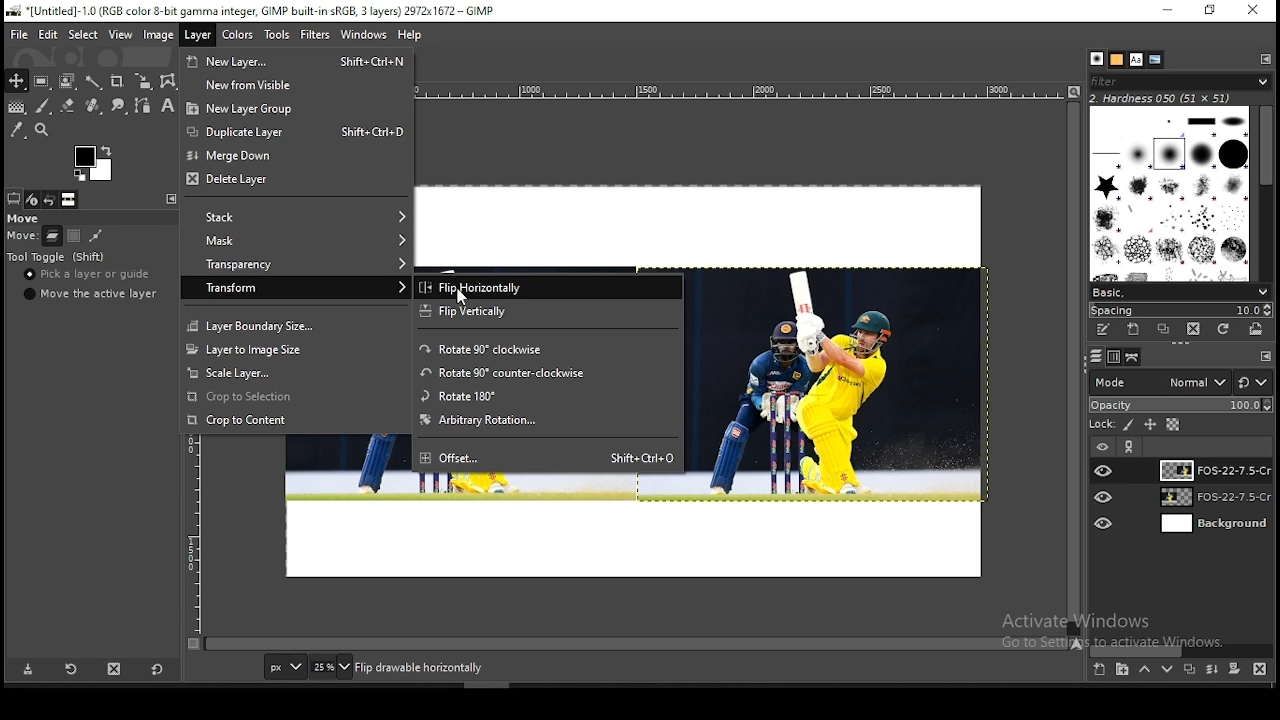 Image resolution: width=1280 pixels, height=720 pixels. Describe the element at coordinates (1260, 669) in the screenshot. I see `delete layer` at that location.